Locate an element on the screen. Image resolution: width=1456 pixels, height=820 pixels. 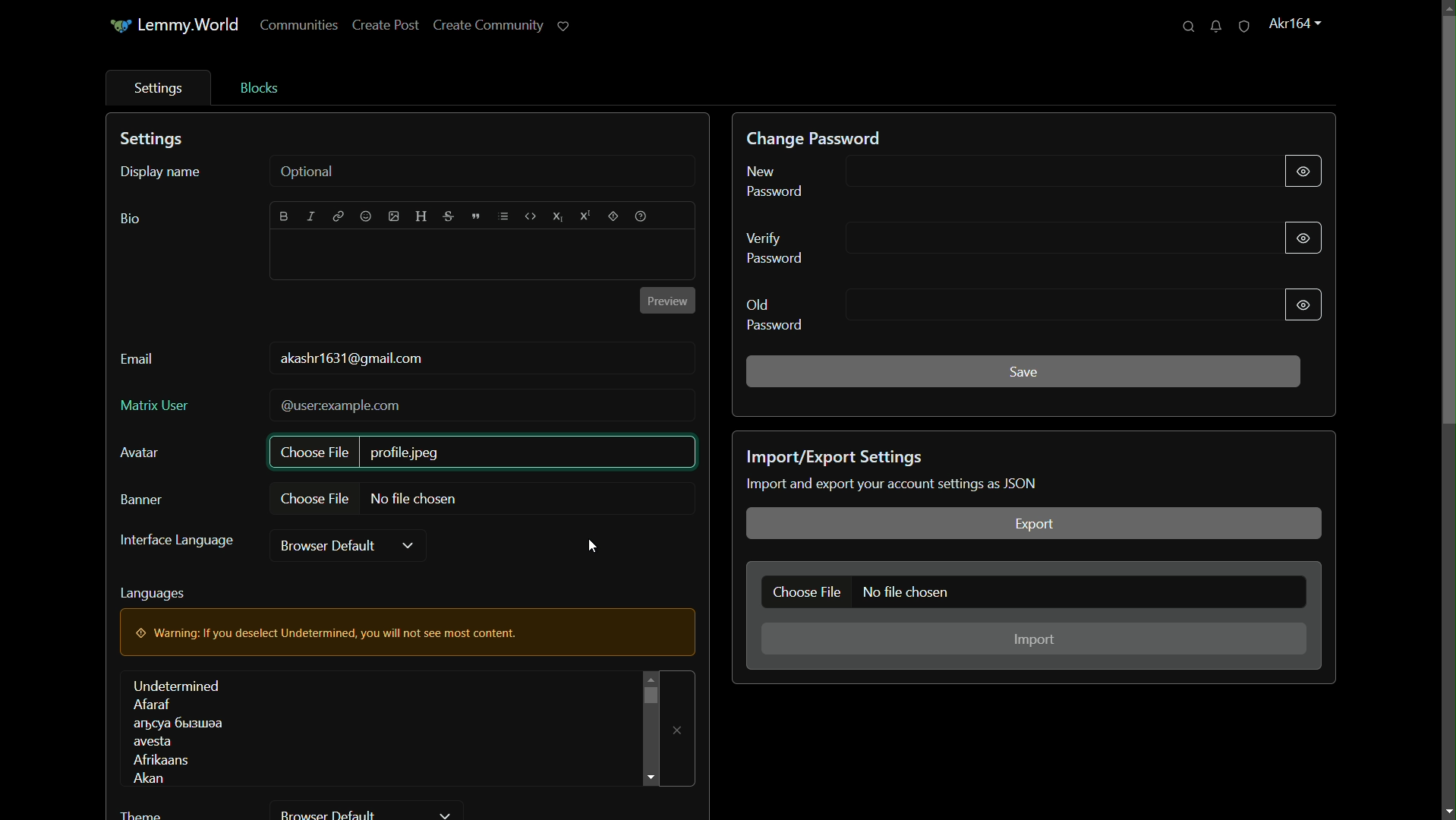
scroll bar is located at coordinates (1447, 221).